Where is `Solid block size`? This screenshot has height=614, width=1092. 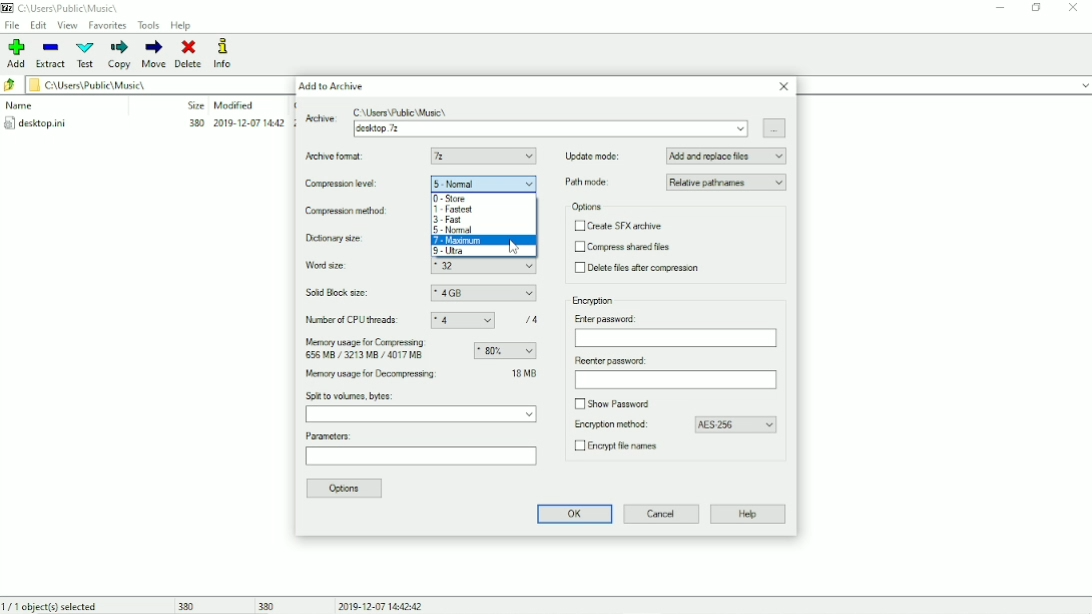 Solid block size is located at coordinates (339, 293).